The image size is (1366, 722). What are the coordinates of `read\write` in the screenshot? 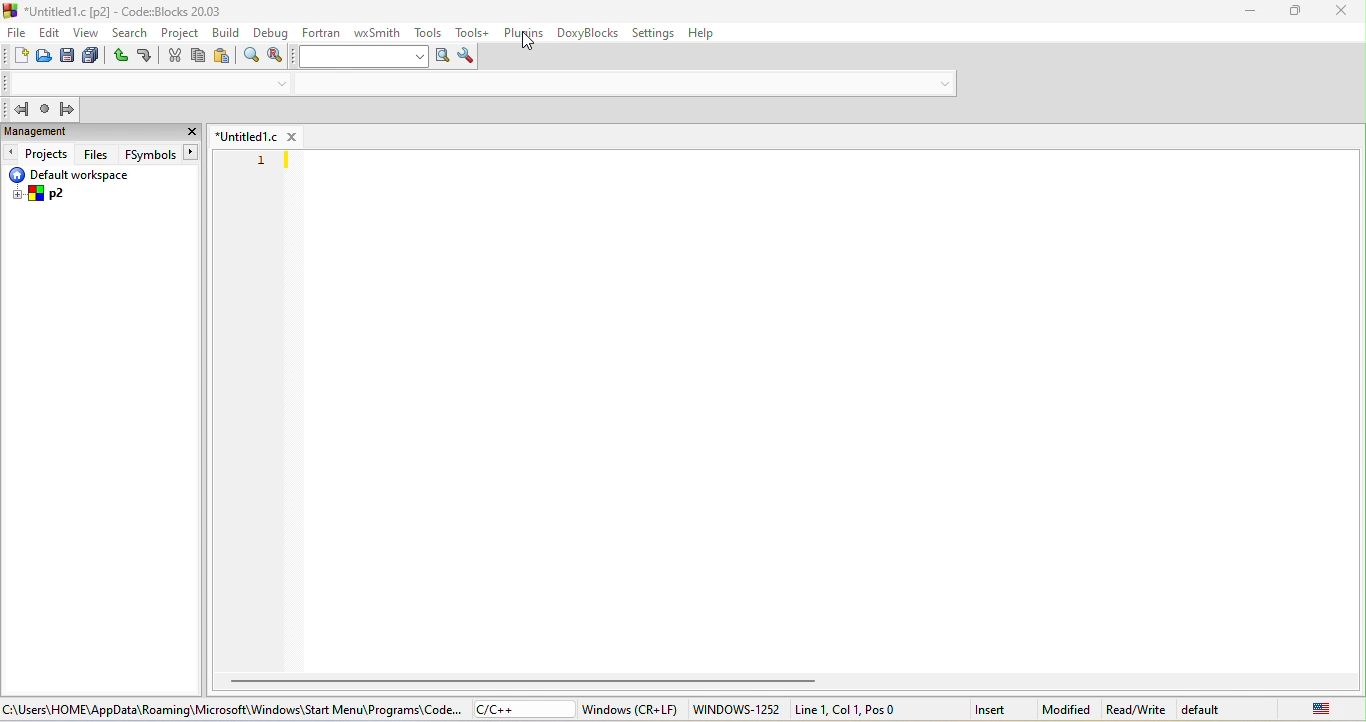 It's located at (1138, 710).